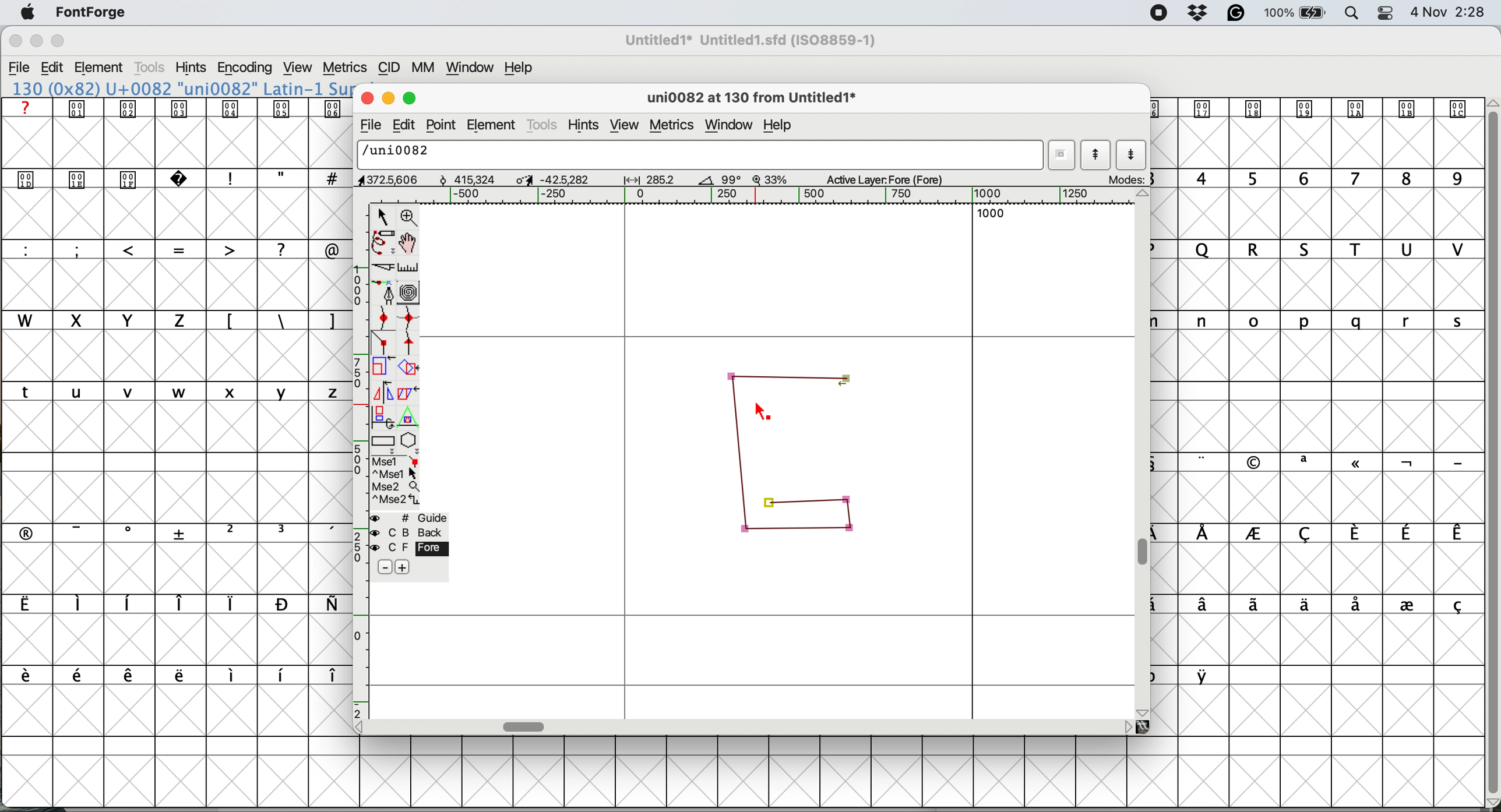  I want to click on show next letter, so click(1132, 156).